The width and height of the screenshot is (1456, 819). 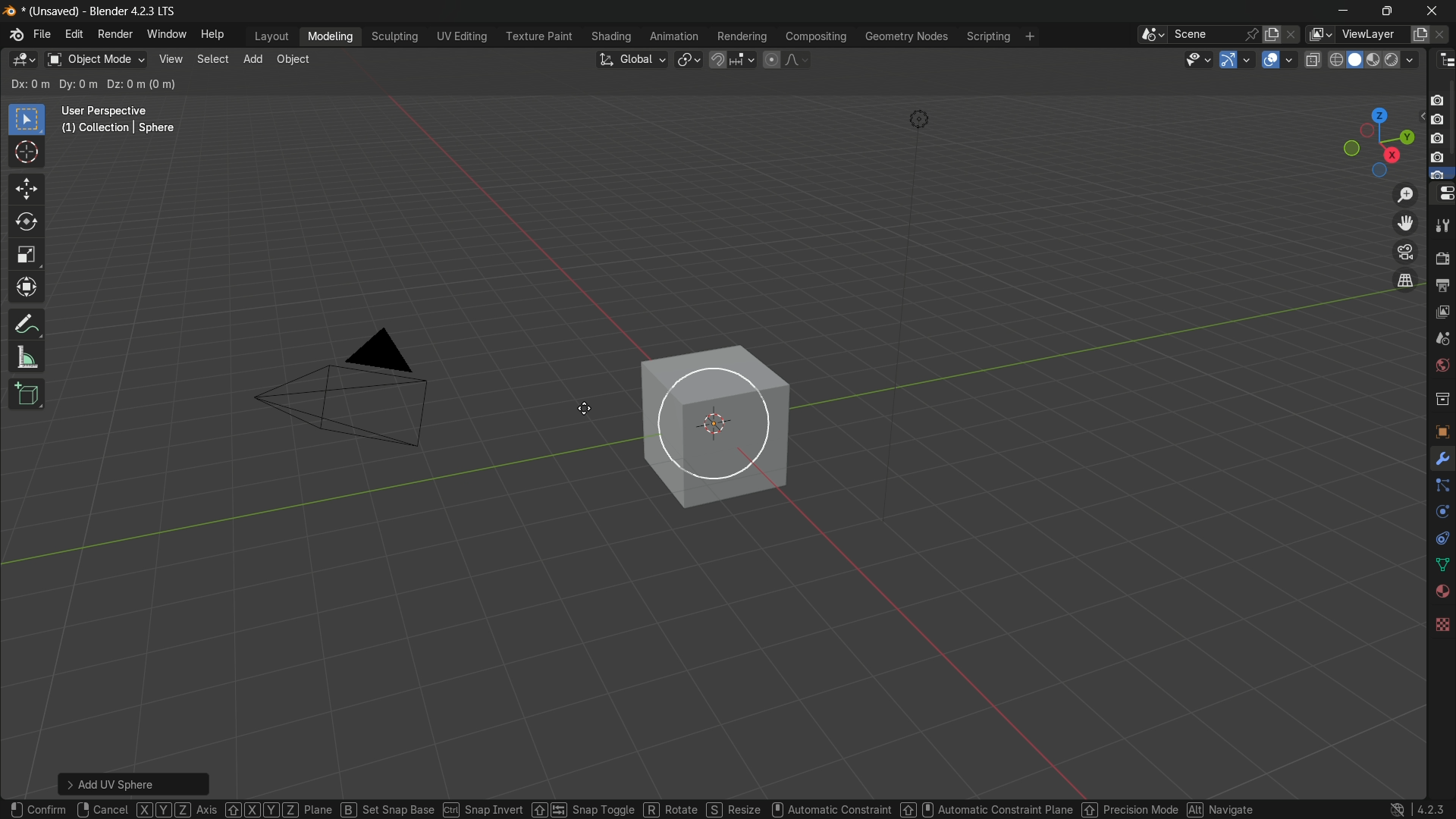 What do you see at coordinates (96, 83) in the screenshot?
I see `intersect existing selection` at bounding box center [96, 83].